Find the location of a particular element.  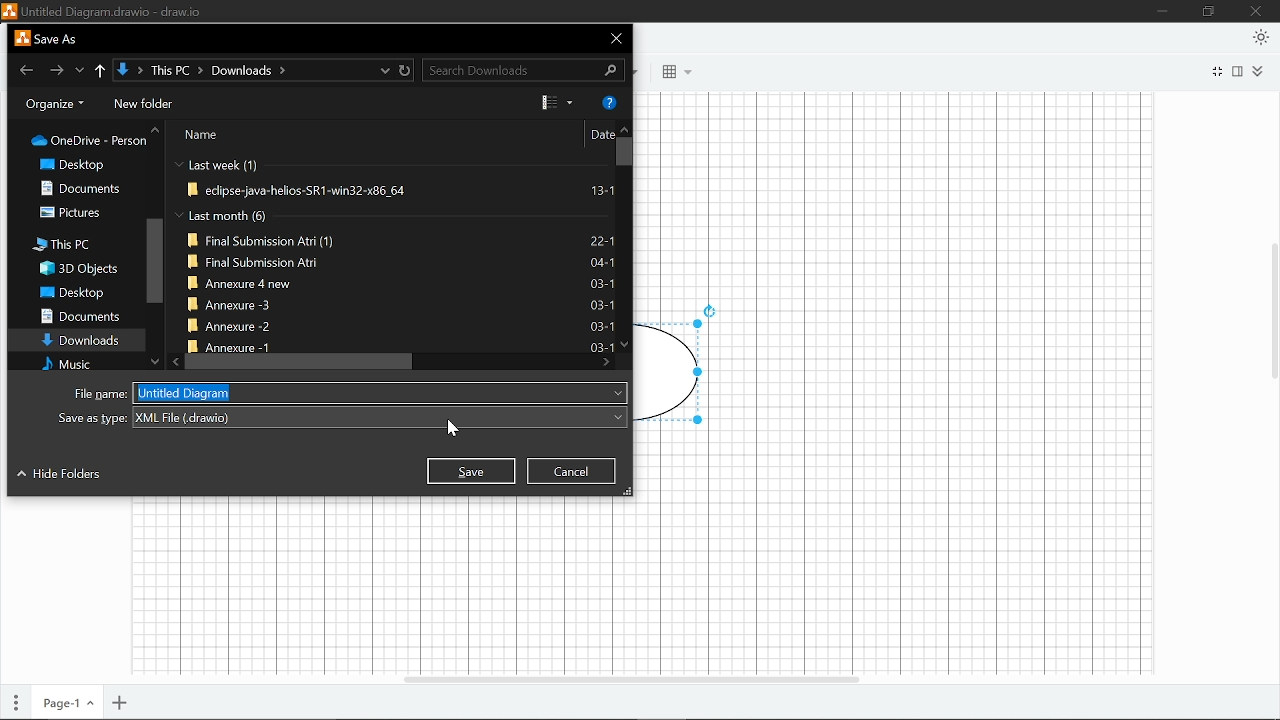

Up yo "This pc" is located at coordinates (102, 71).